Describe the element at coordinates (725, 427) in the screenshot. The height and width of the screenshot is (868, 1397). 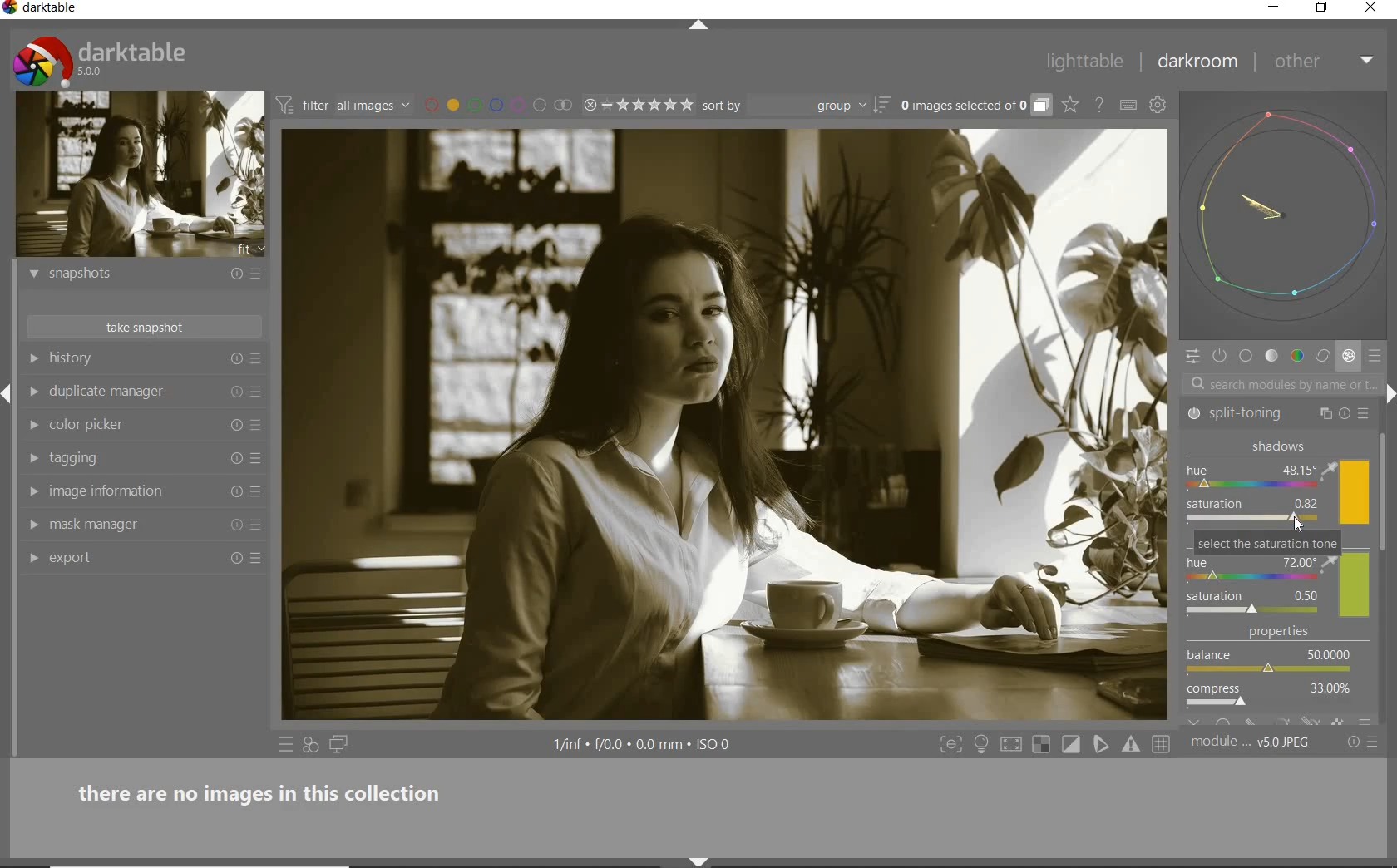
I see `selected image` at that location.